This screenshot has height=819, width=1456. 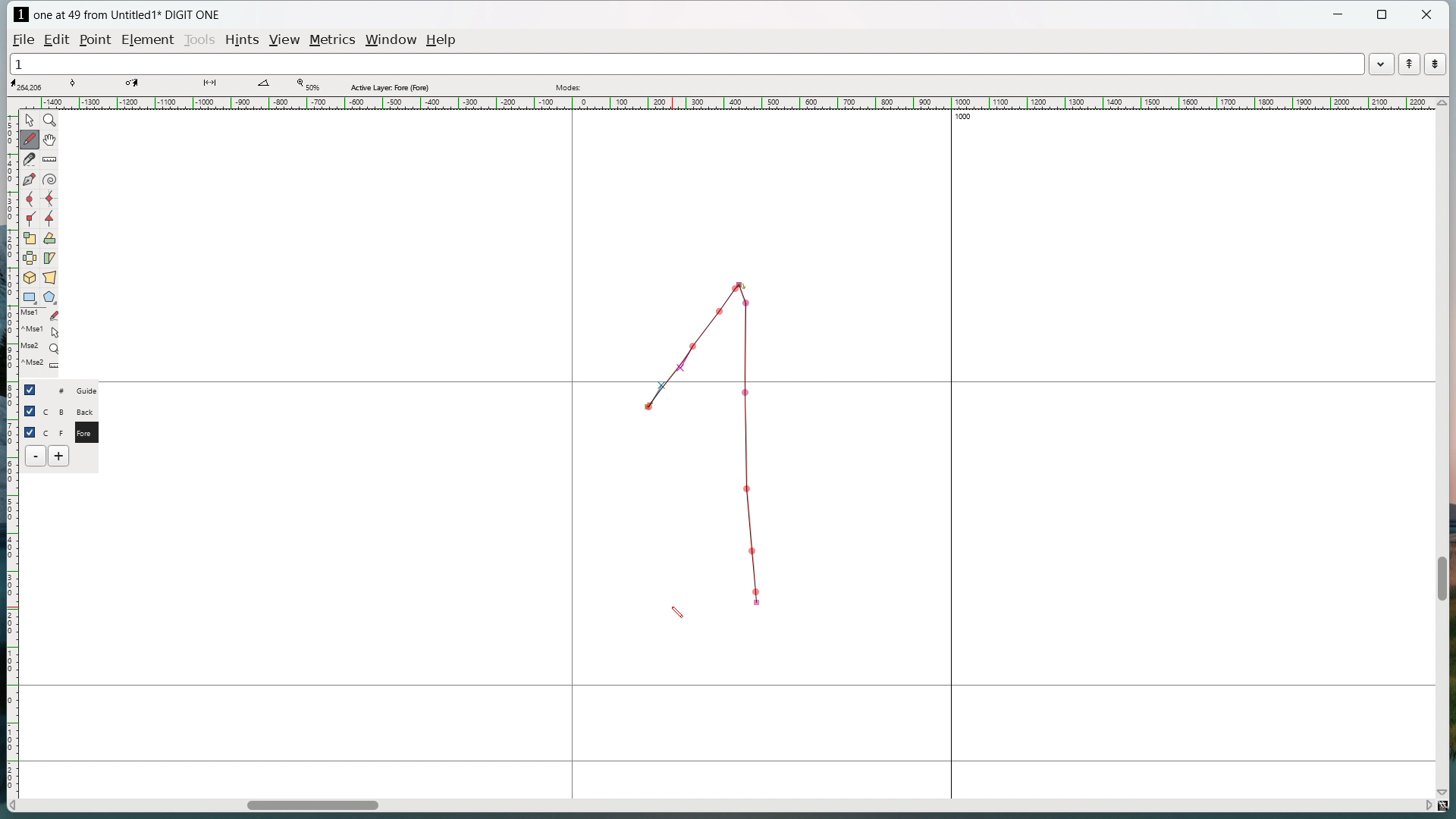 What do you see at coordinates (31, 139) in the screenshot?
I see `draw freehand curve ` at bounding box center [31, 139].